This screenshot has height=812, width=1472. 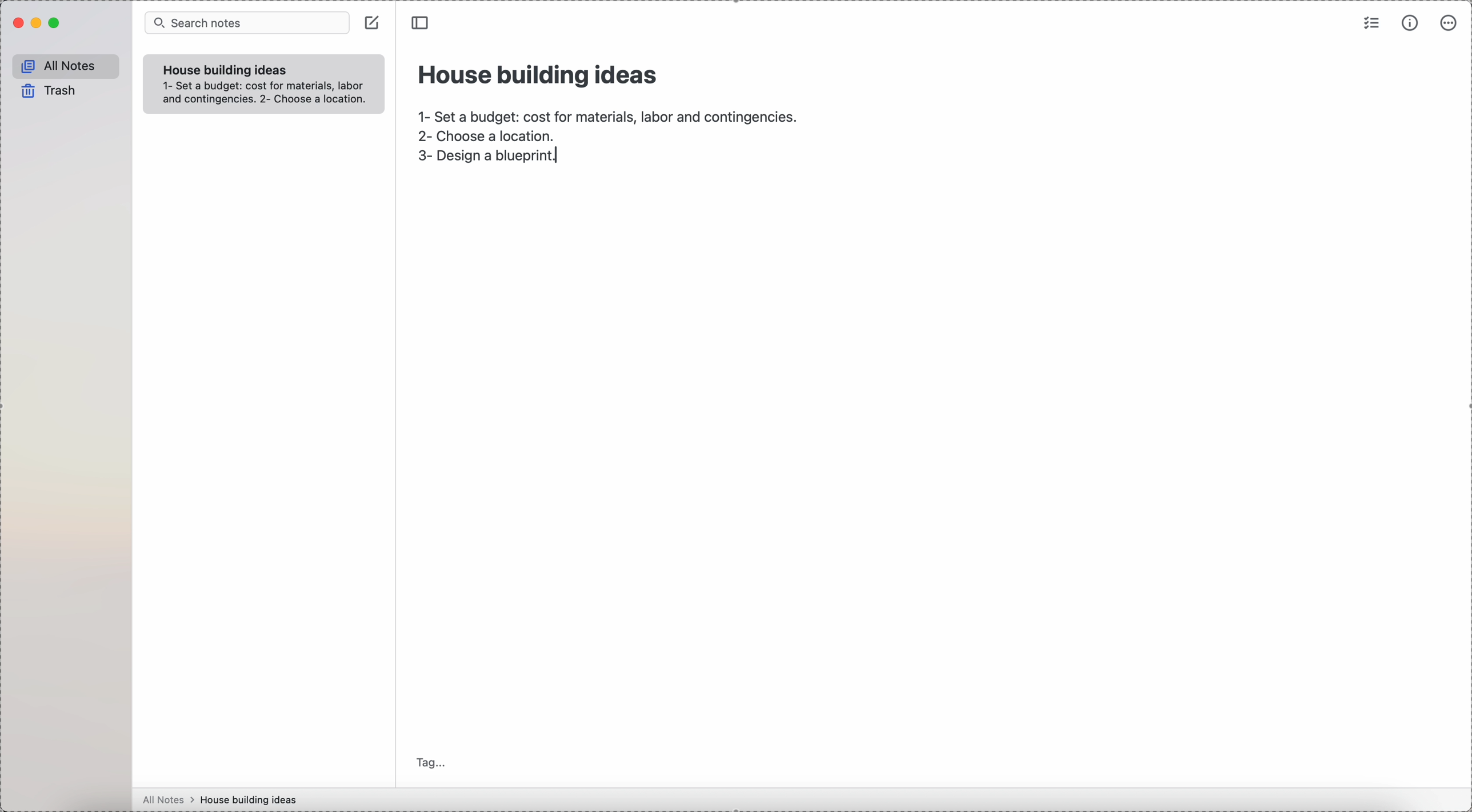 What do you see at coordinates (606, 113) in the screenshot?
I see `1-set a budget:cost for material,labor and contingencies` at bounding box center [606, 113].